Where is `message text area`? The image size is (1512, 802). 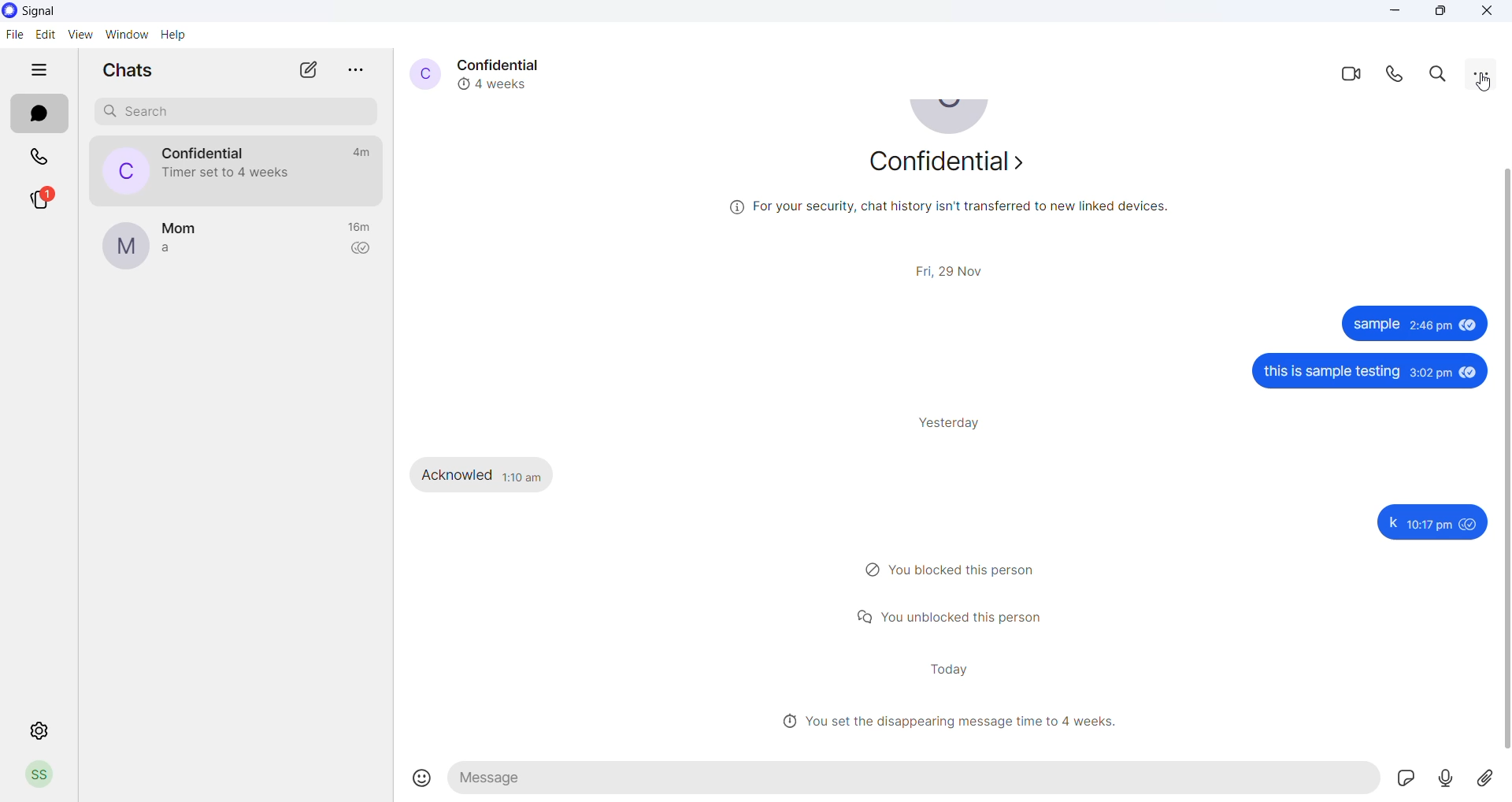
message text area is located at coordinates (918, 778).